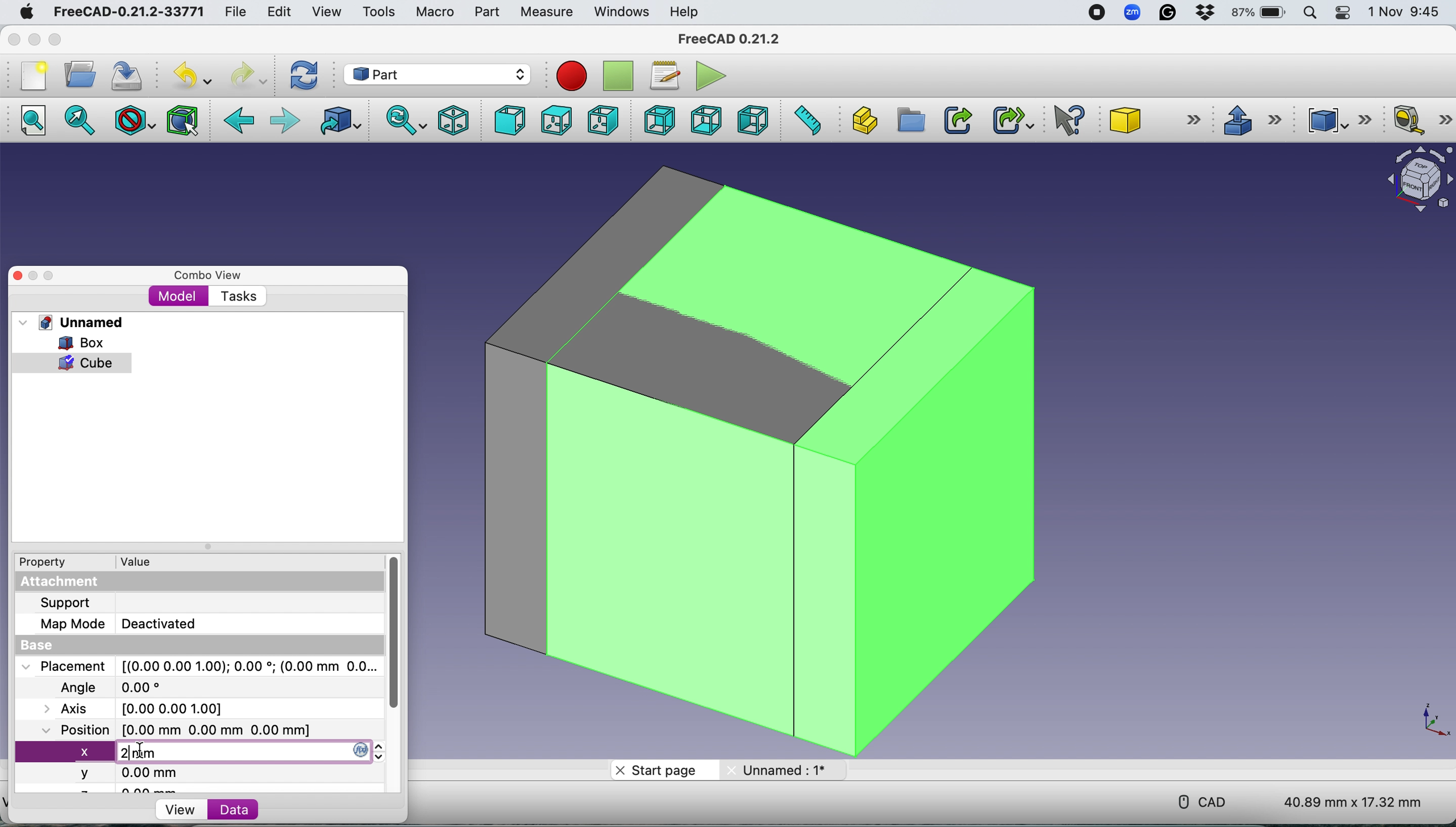 The height and width of the screenshot is (827, 1456). What do you see at coordinates (285, 122) in the screenshot?
I see `Forward` at bounding box center [285, 122].